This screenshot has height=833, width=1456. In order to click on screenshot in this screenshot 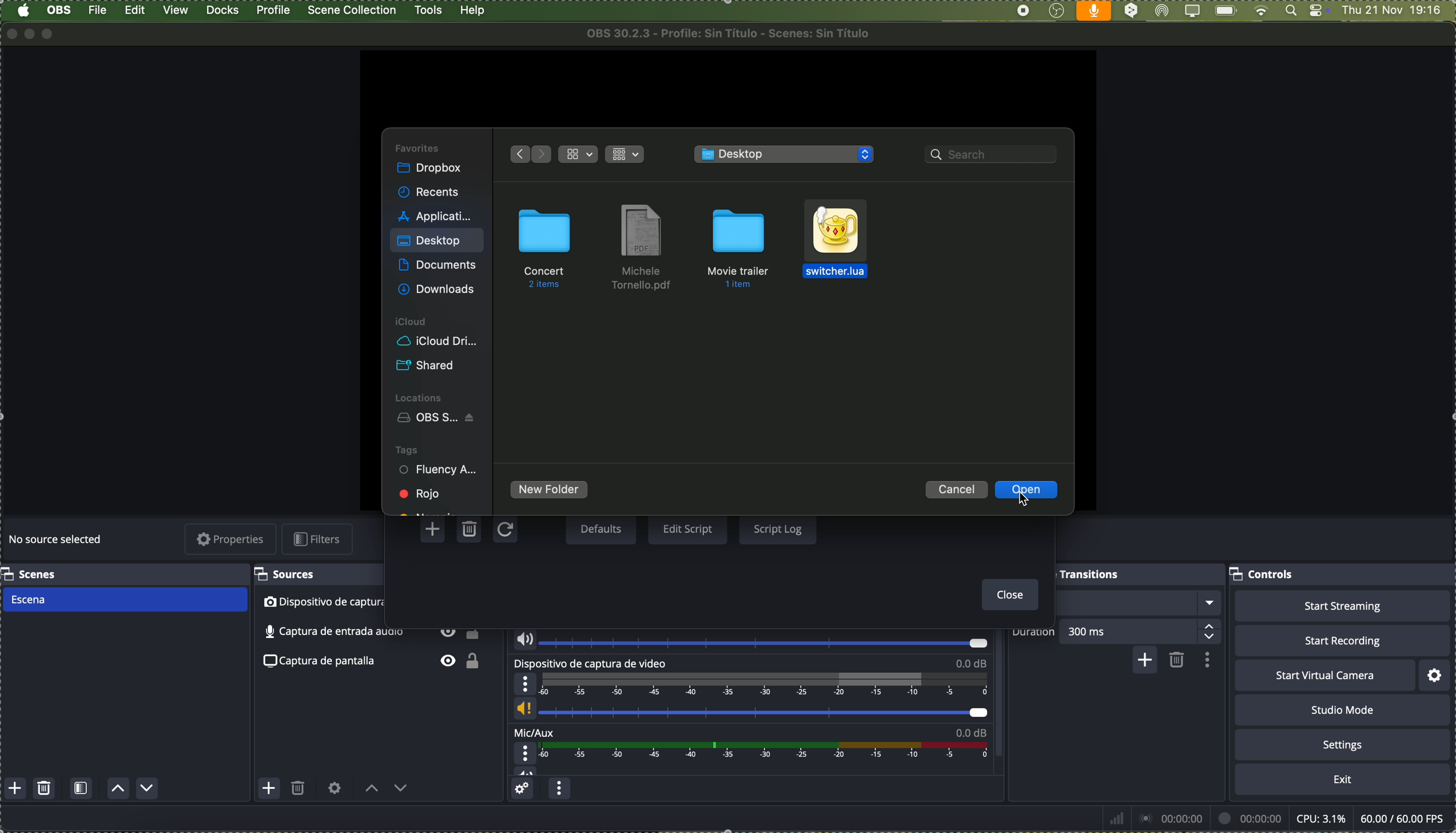, I will do `click(376, 663)`.